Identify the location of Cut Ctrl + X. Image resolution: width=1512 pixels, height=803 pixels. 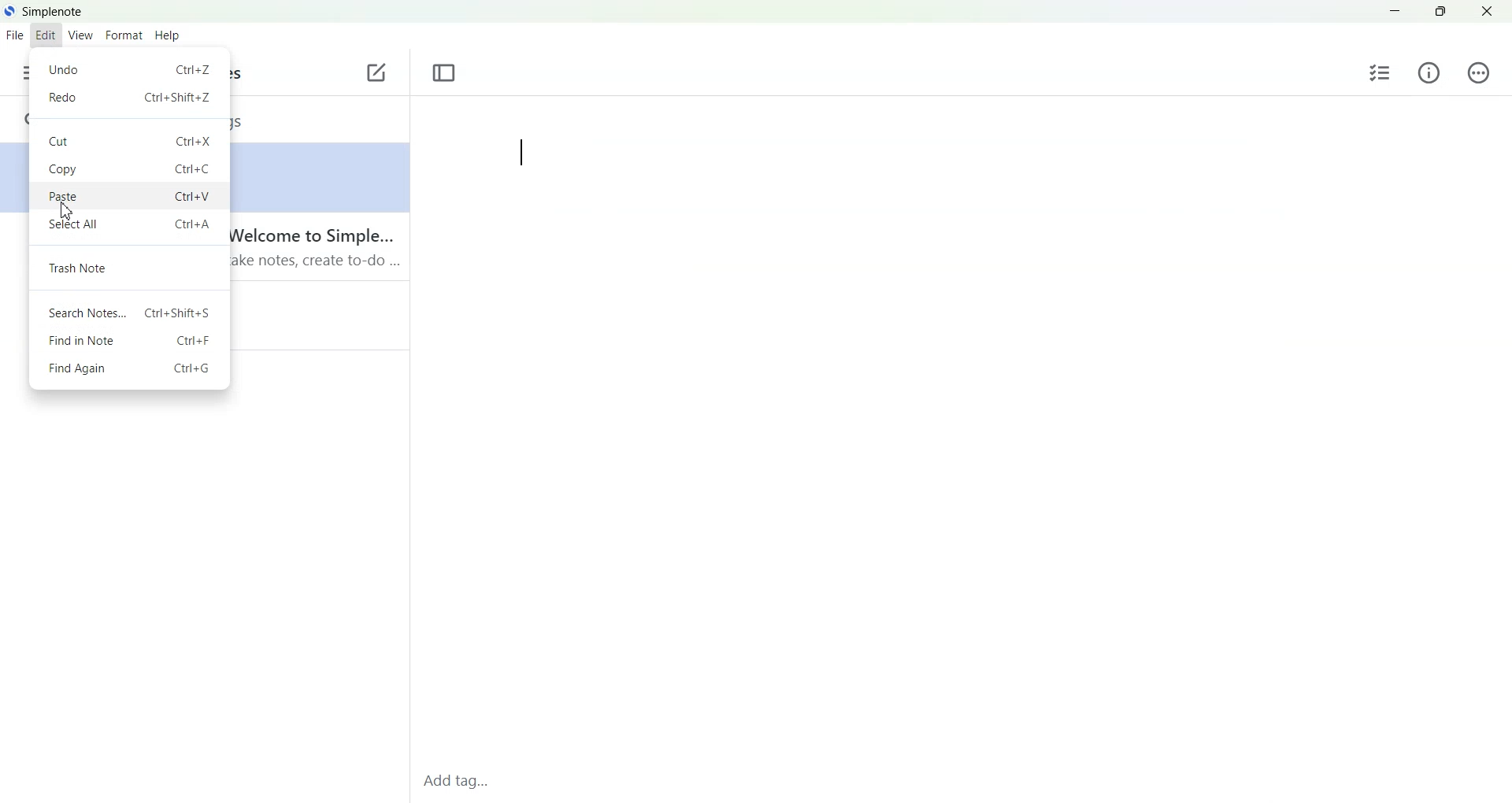
(130, 139).